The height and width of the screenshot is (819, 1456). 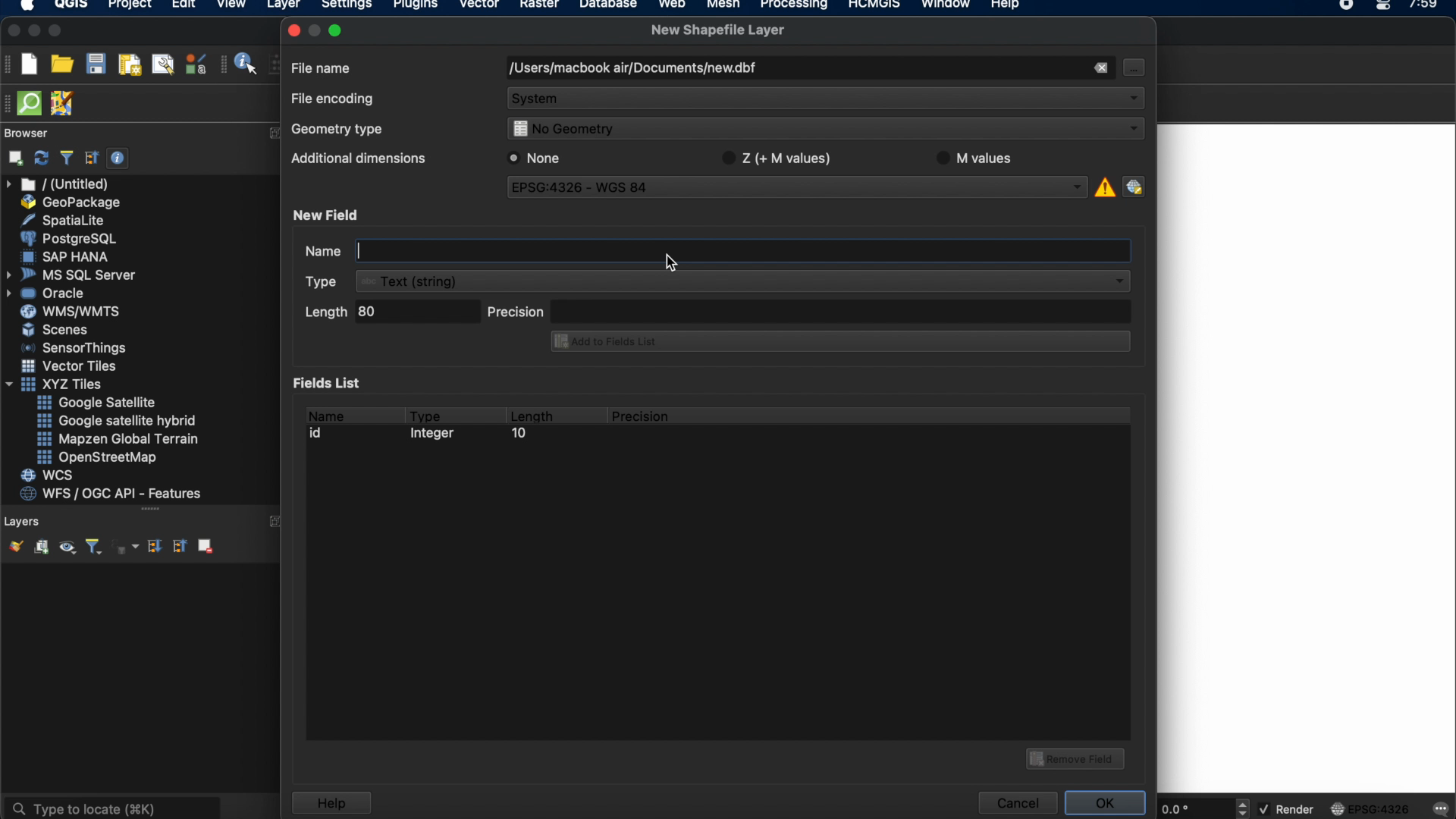 What do you see at coordinates (9, 102) in the screenshot?
I see `hidden toolbar` at bounding box center [9, 102].